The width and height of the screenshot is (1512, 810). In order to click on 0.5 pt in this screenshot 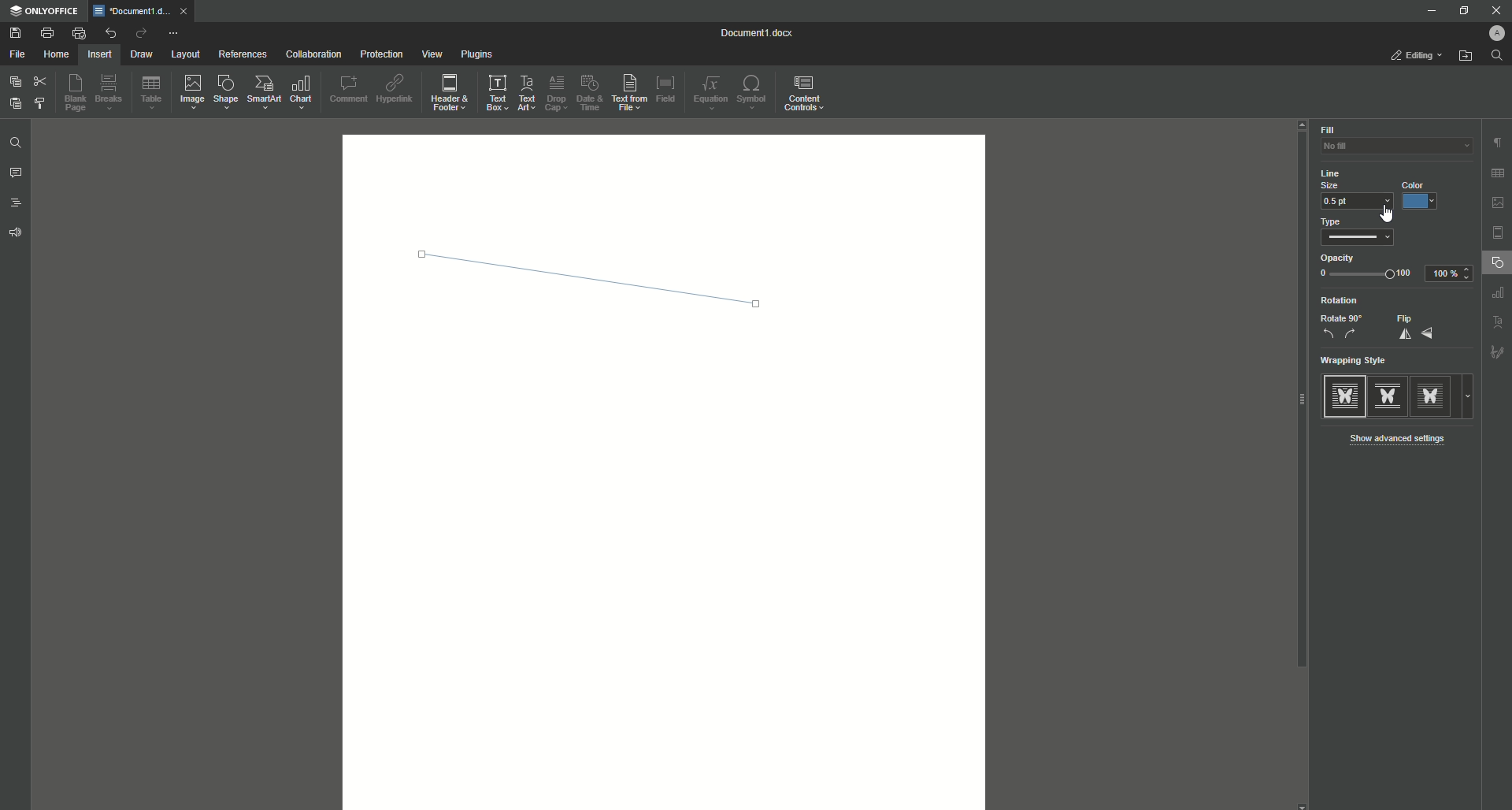, I will do `click(1356, 203)`.